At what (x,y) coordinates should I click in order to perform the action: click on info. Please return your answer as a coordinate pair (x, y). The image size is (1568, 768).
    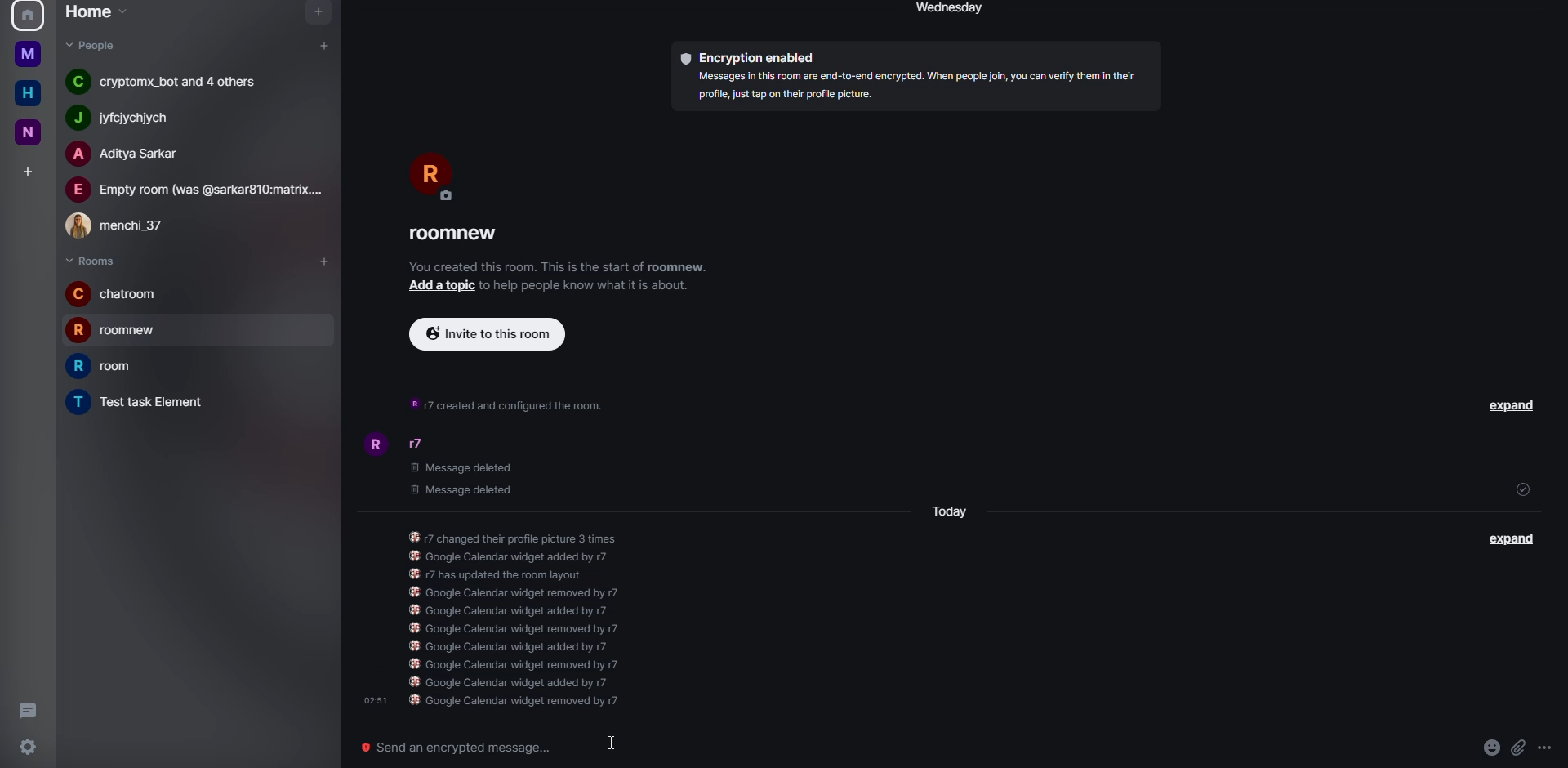
    Looking at the image, I should click on (559, 268).